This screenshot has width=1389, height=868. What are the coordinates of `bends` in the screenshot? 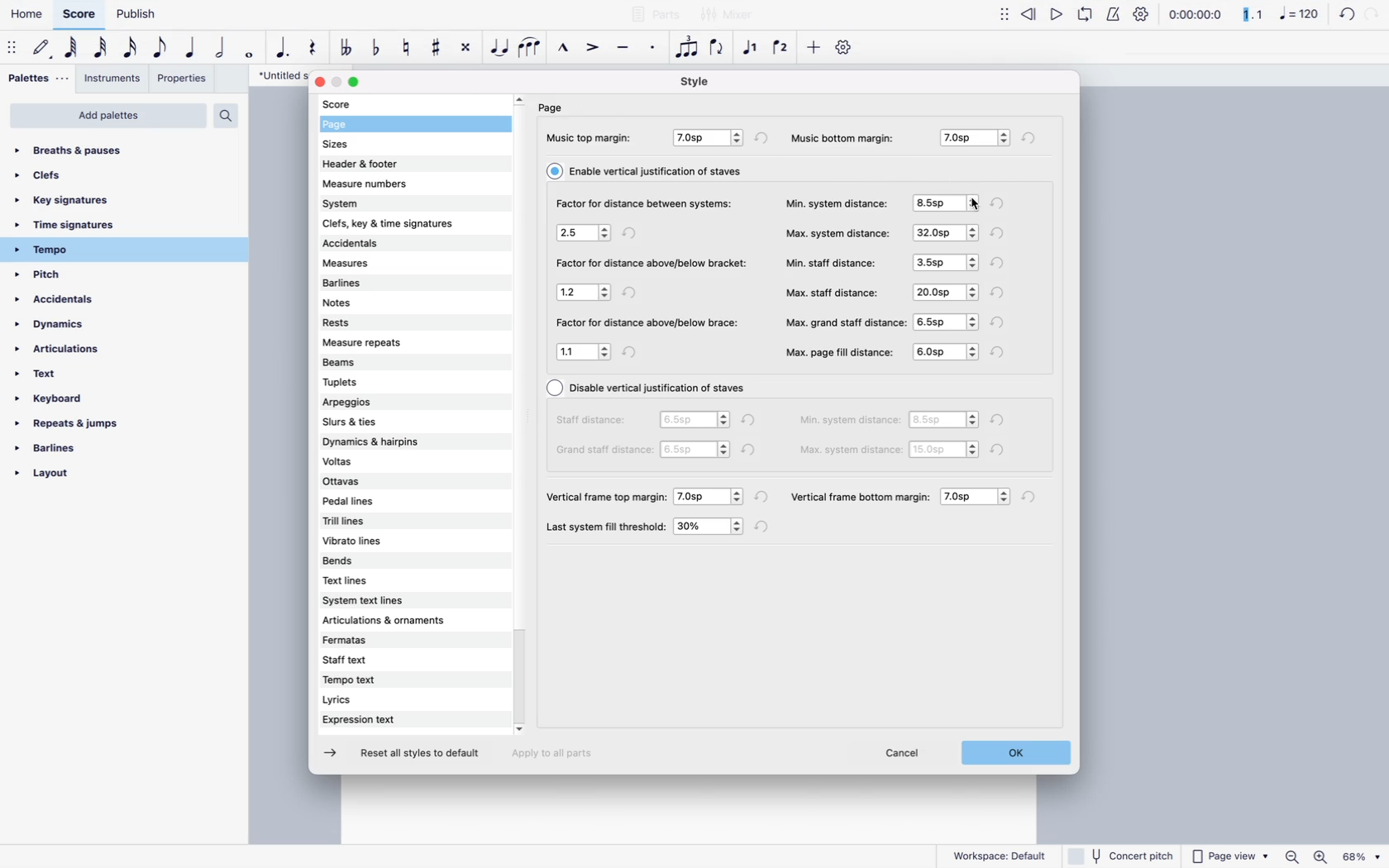 It's located at (372, 562).